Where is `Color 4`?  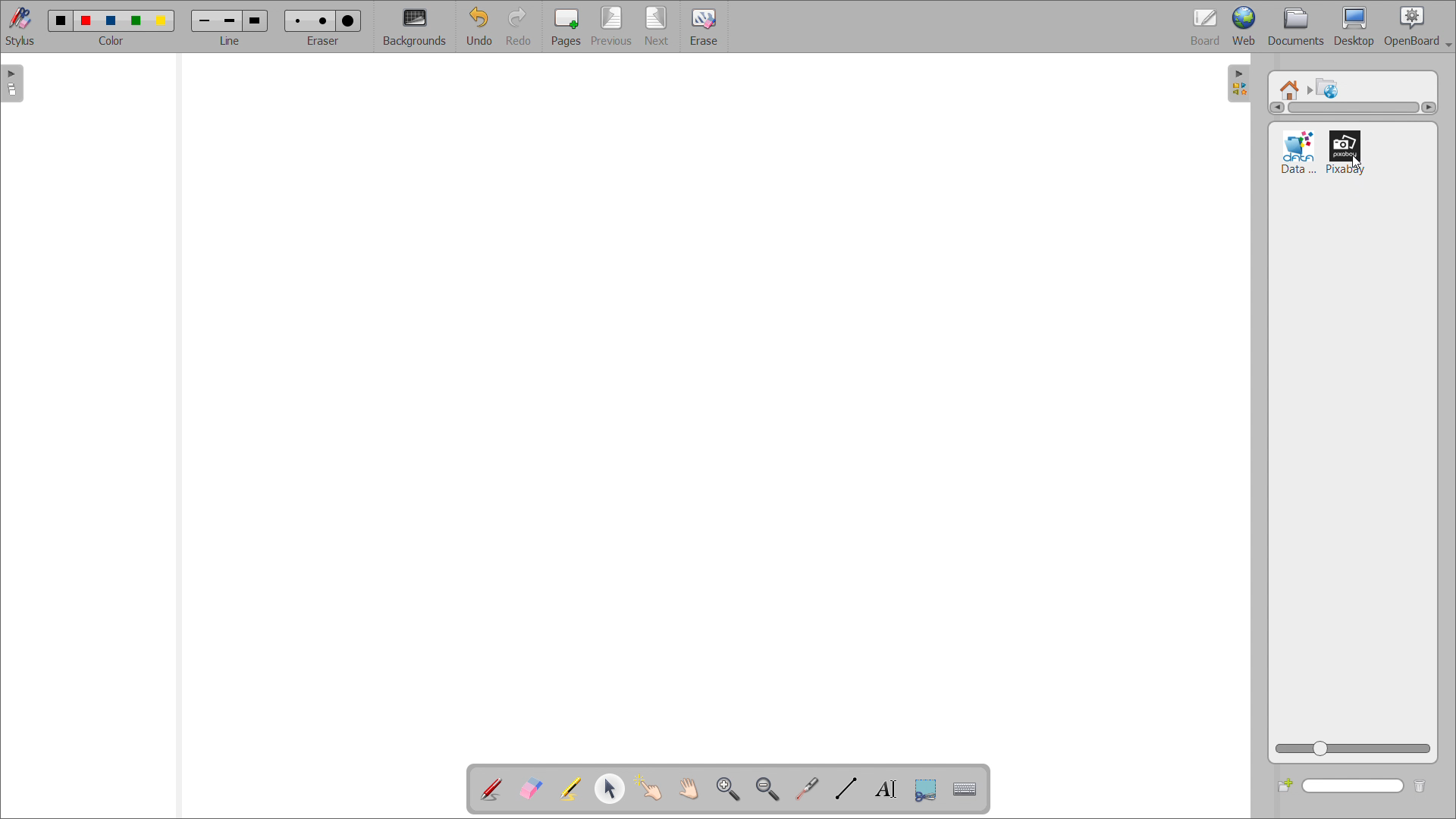
Color 4 is located at coordinates (138, 20).